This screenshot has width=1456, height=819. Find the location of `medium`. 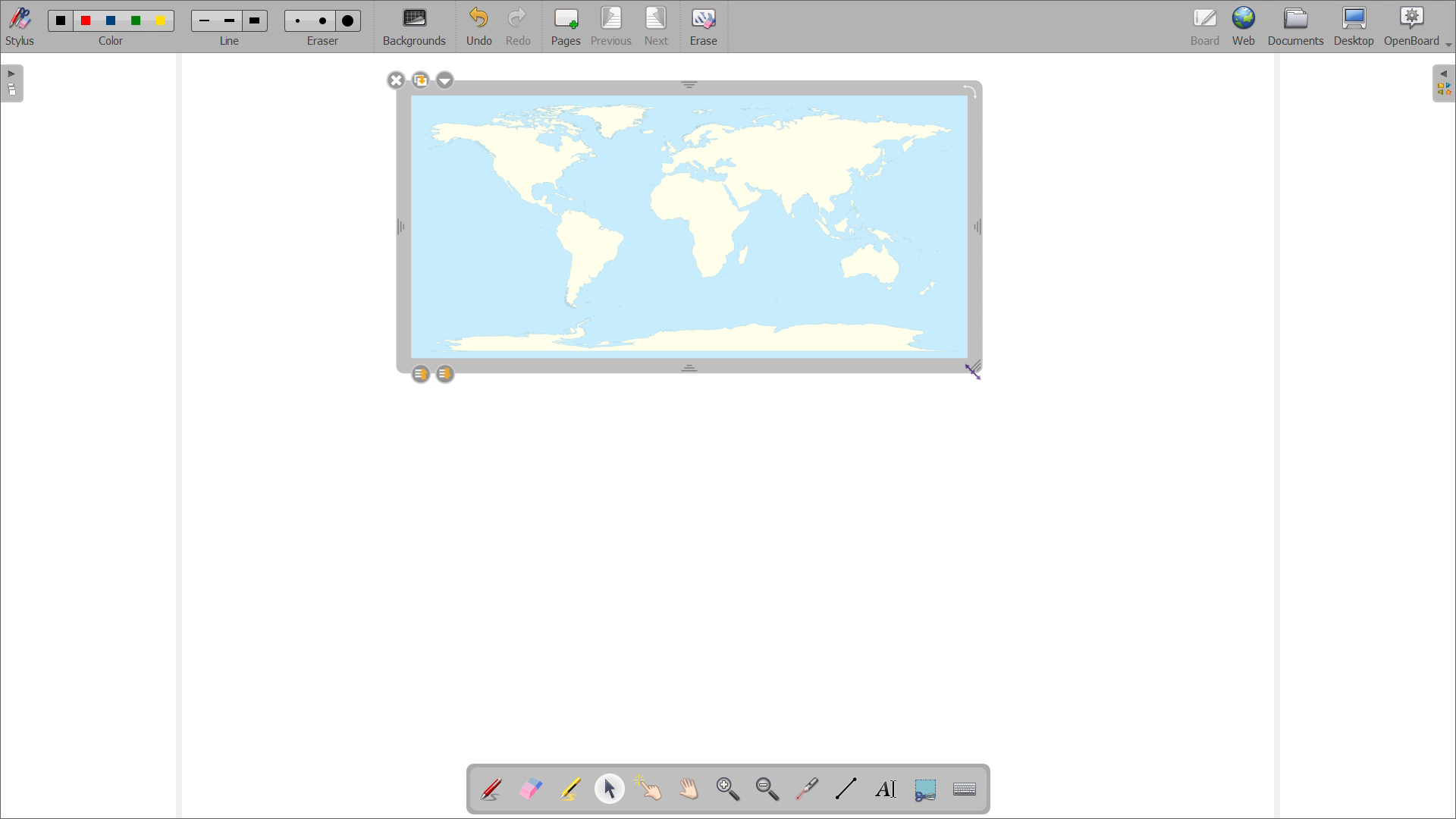

medium is located at coordinates (325, 21).